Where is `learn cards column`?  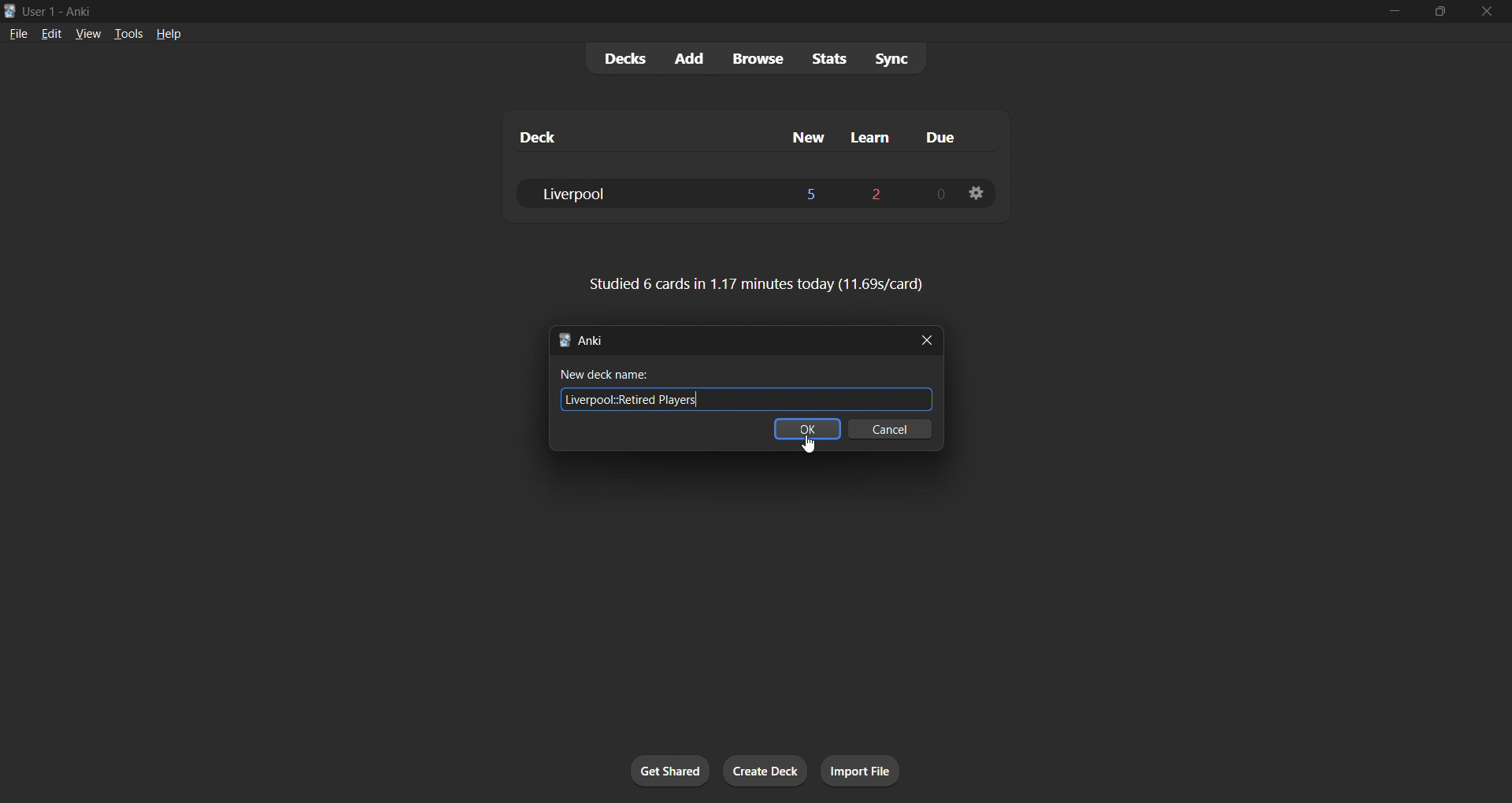 learn cards column is located at coordinates (880, 139).